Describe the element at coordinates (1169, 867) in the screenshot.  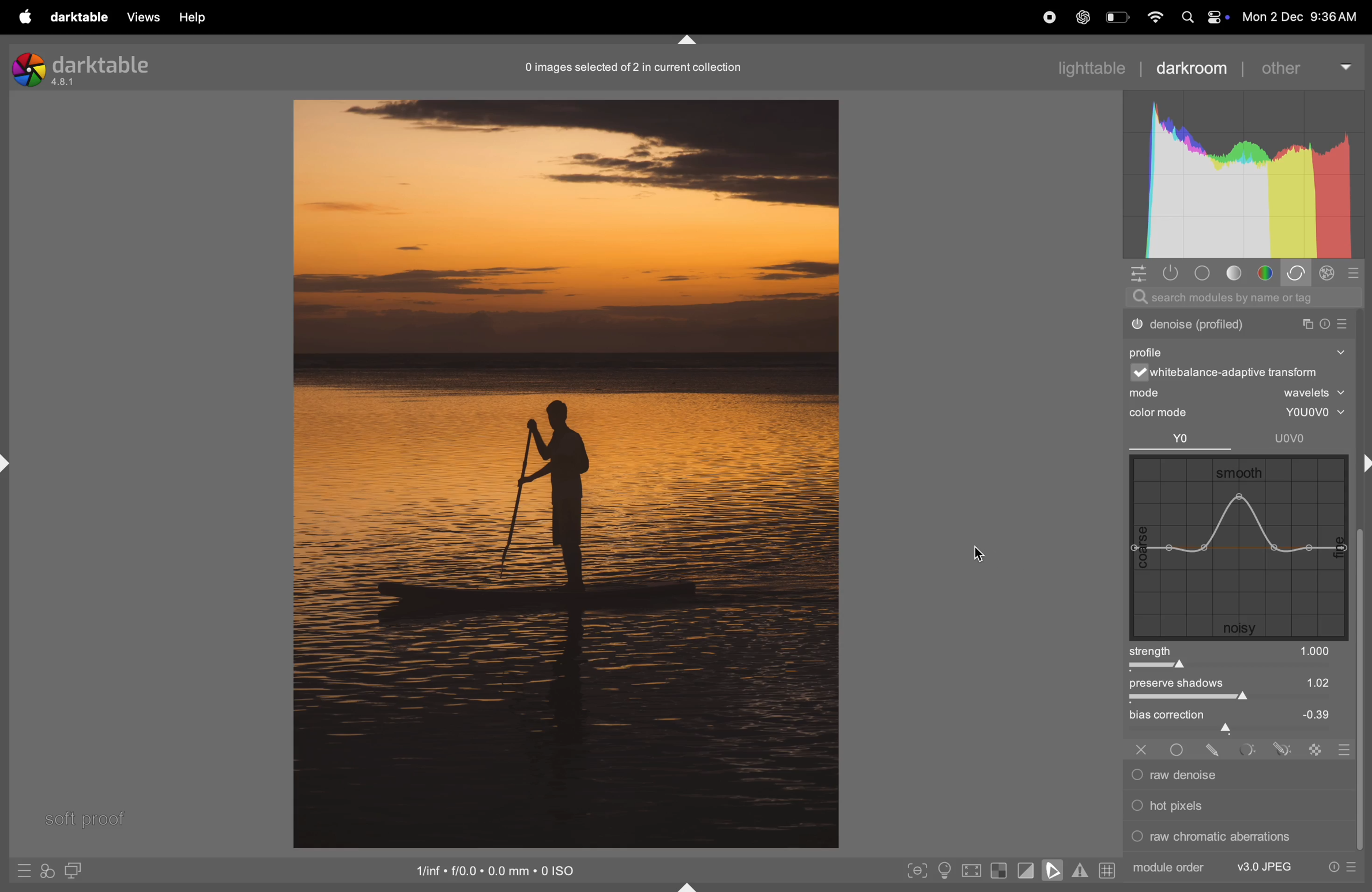
I see `module order` at that location.